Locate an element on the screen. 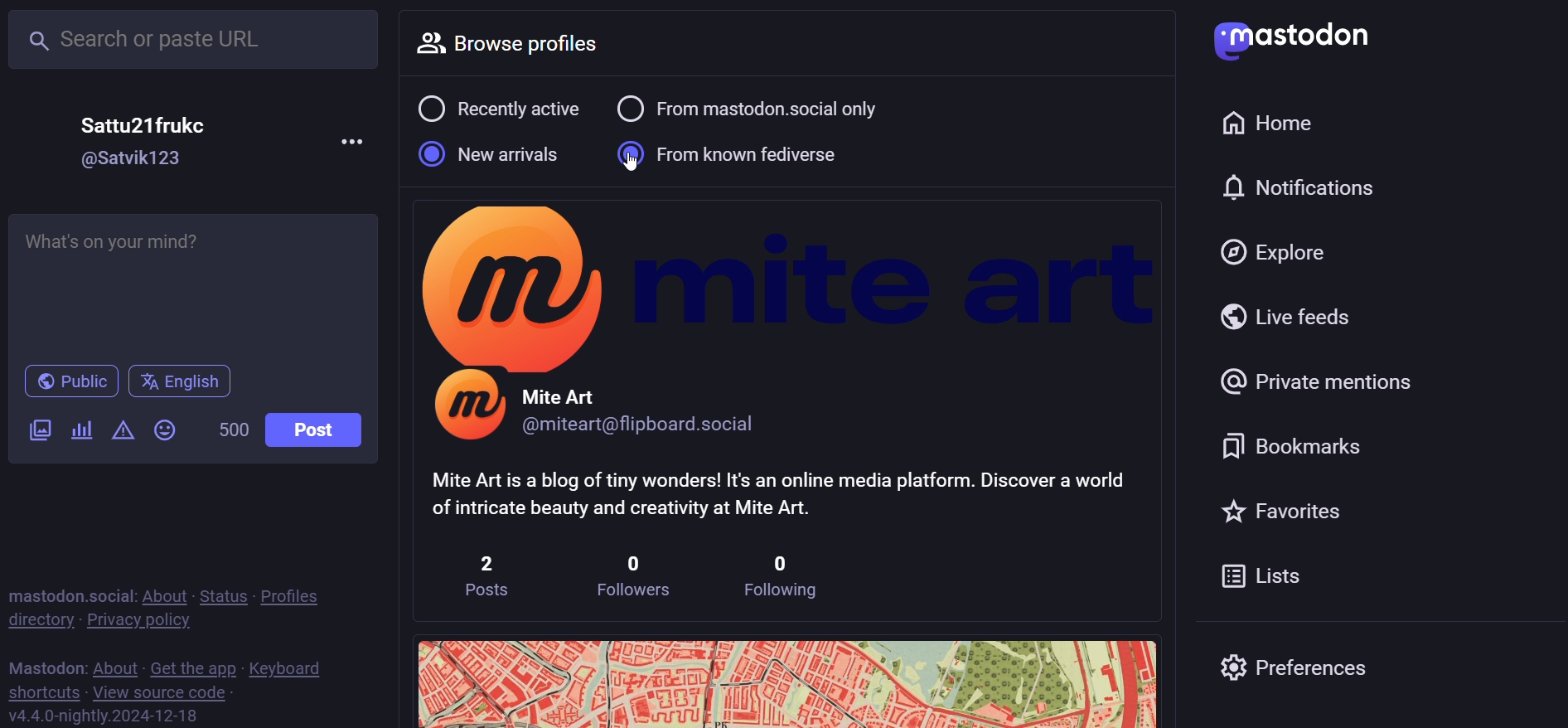  status is located at coordinates (222, 596).